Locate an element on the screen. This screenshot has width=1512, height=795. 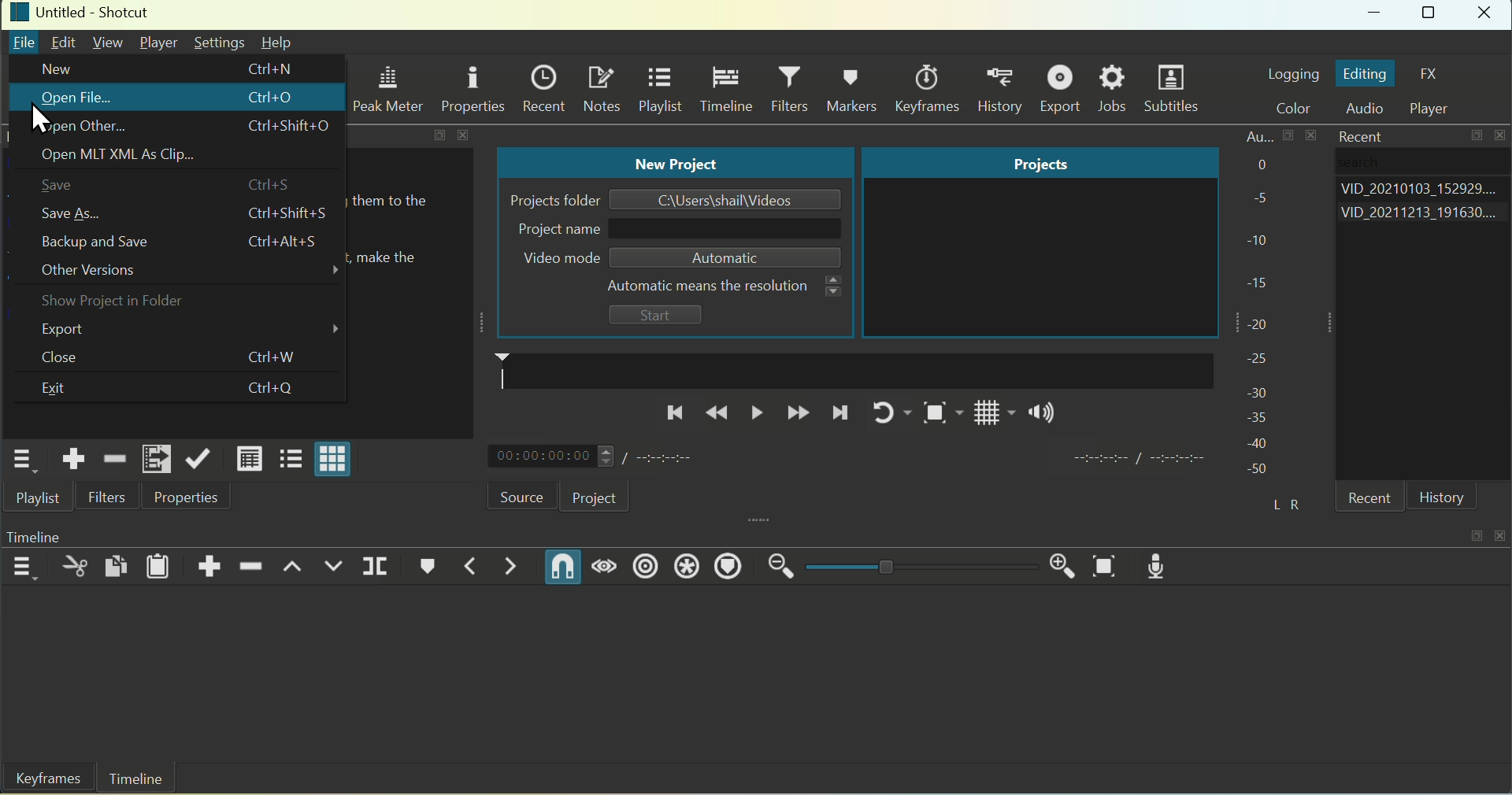
Ctrl+N is located at coordinates (273, 65).